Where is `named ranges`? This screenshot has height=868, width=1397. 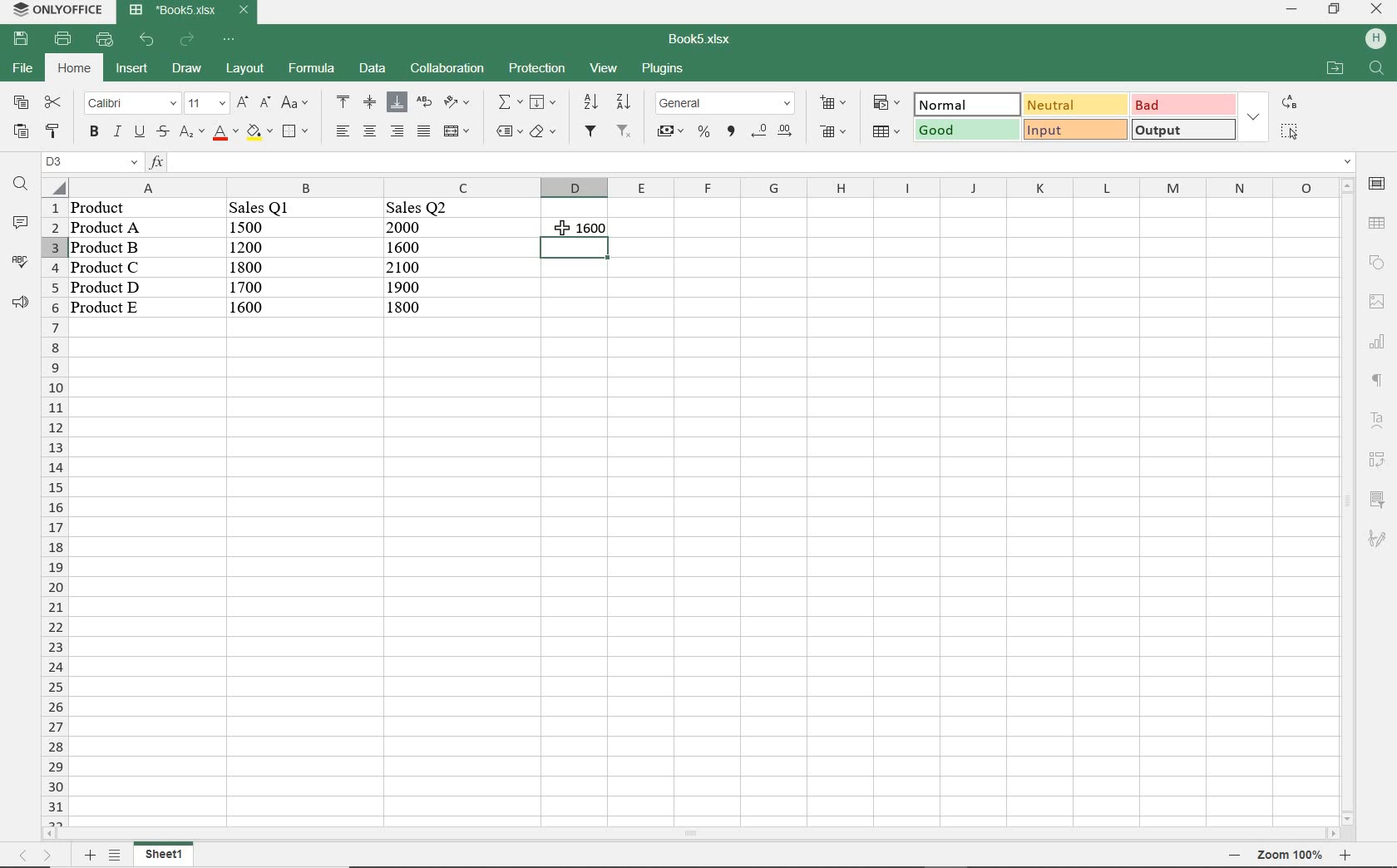
named ranges is located at coordinates (507, 131).